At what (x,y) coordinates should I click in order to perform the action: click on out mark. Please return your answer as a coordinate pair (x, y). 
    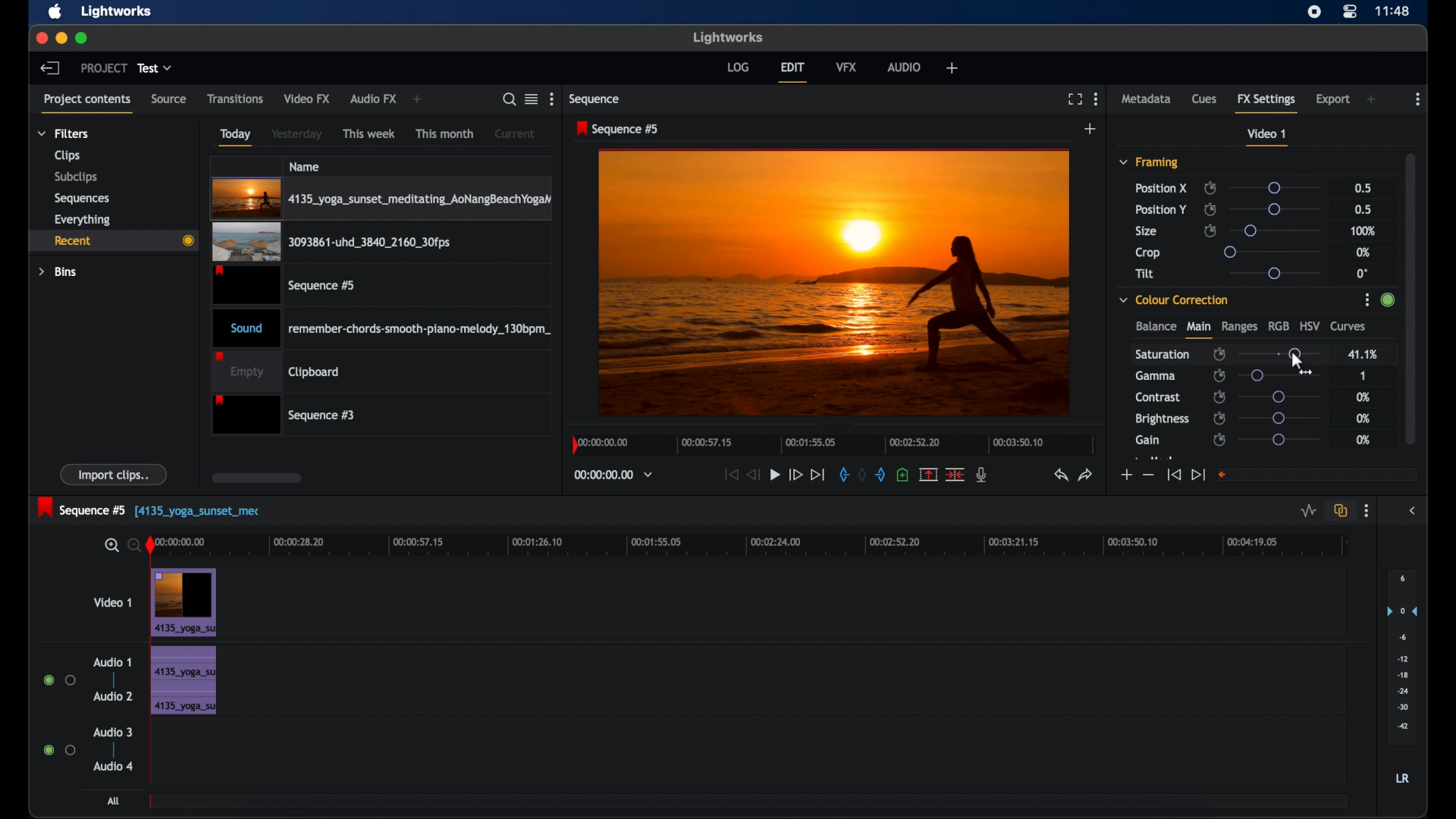
    Looking at the image, I should click on (881, 474).